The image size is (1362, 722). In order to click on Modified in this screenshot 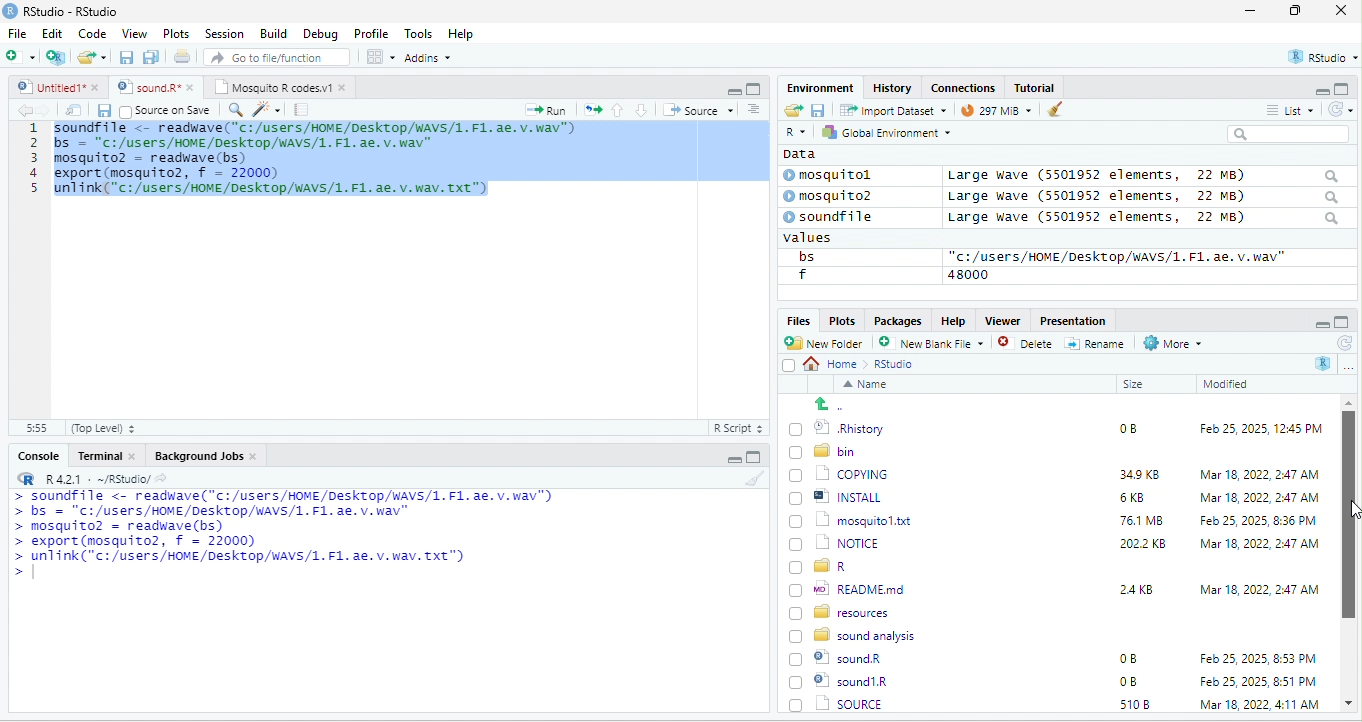, I will do `click(1227, 384)`.